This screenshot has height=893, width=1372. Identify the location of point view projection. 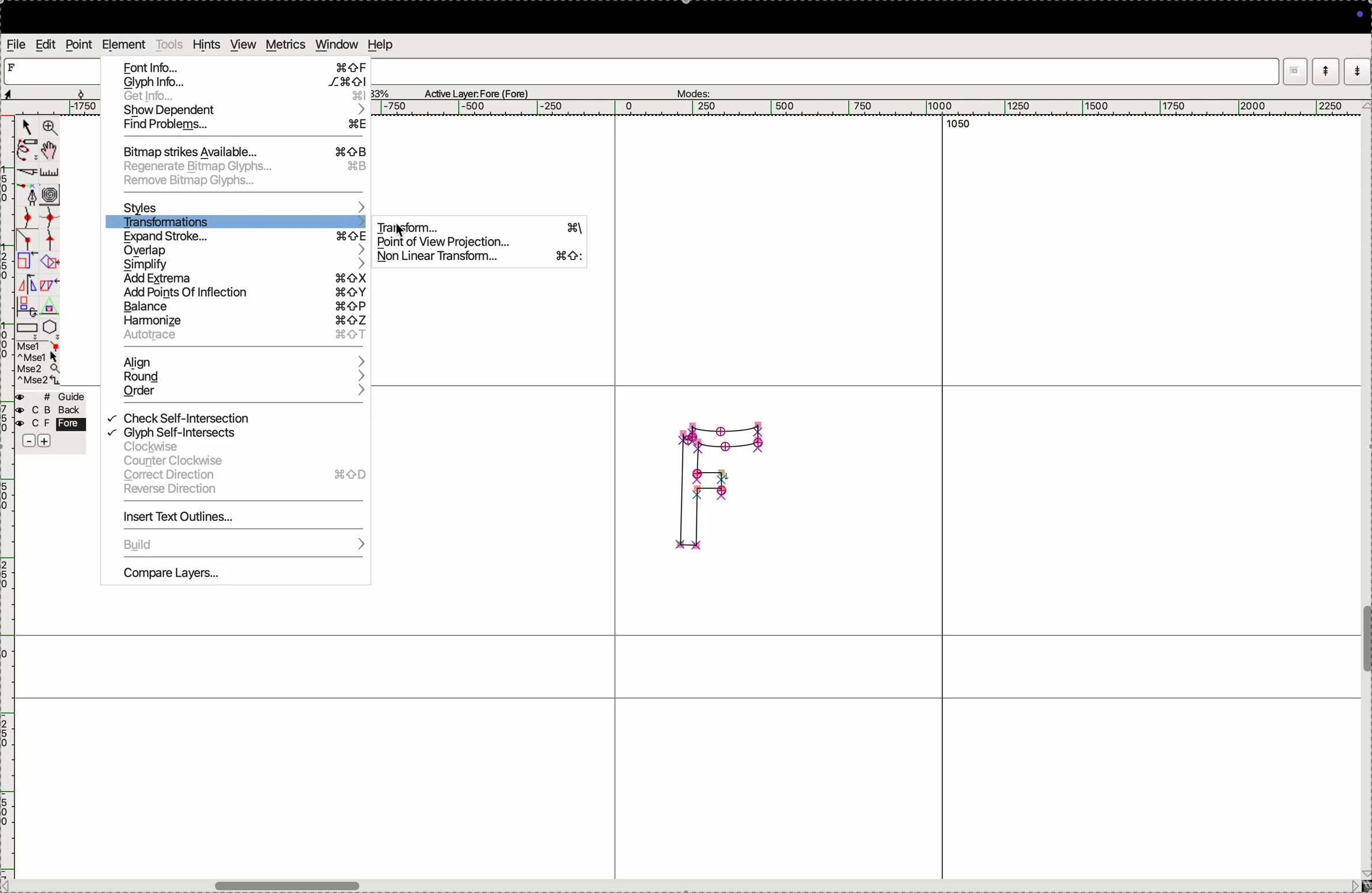
(481, 244).